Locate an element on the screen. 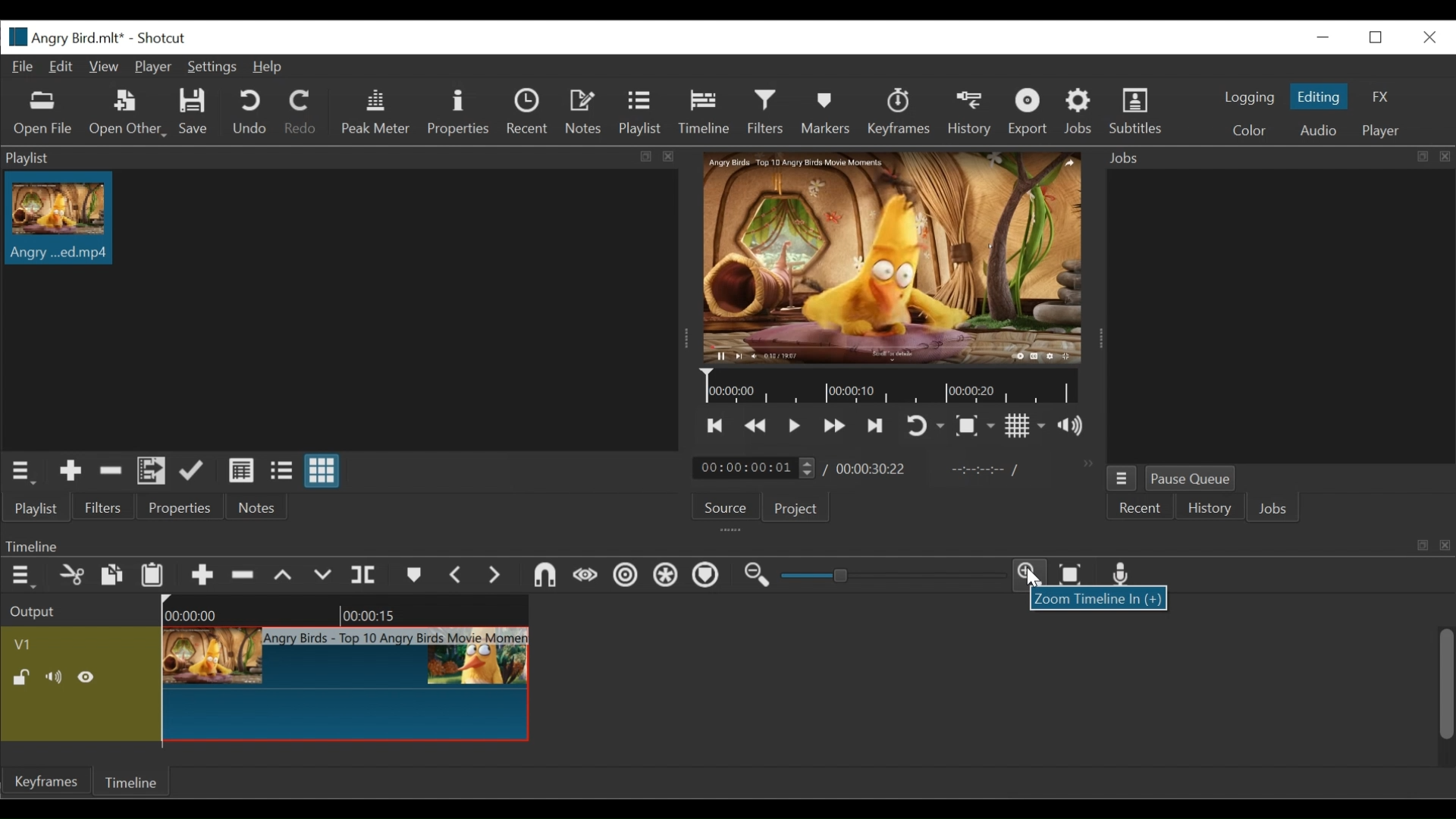  View is located at coordinates (102, 65).